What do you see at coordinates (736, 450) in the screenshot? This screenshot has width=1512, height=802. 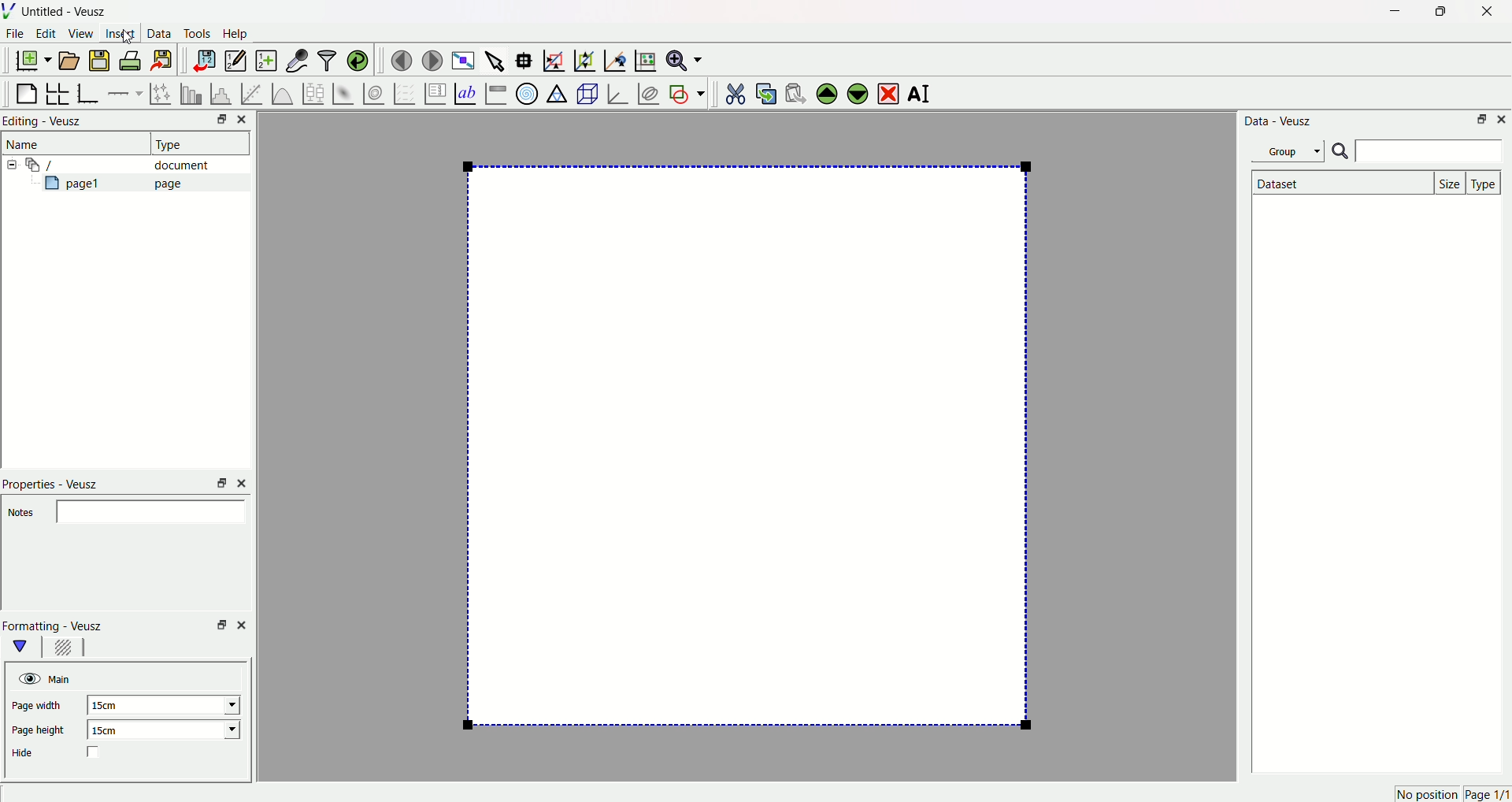 I see `page` at bounding box center [736, 450].